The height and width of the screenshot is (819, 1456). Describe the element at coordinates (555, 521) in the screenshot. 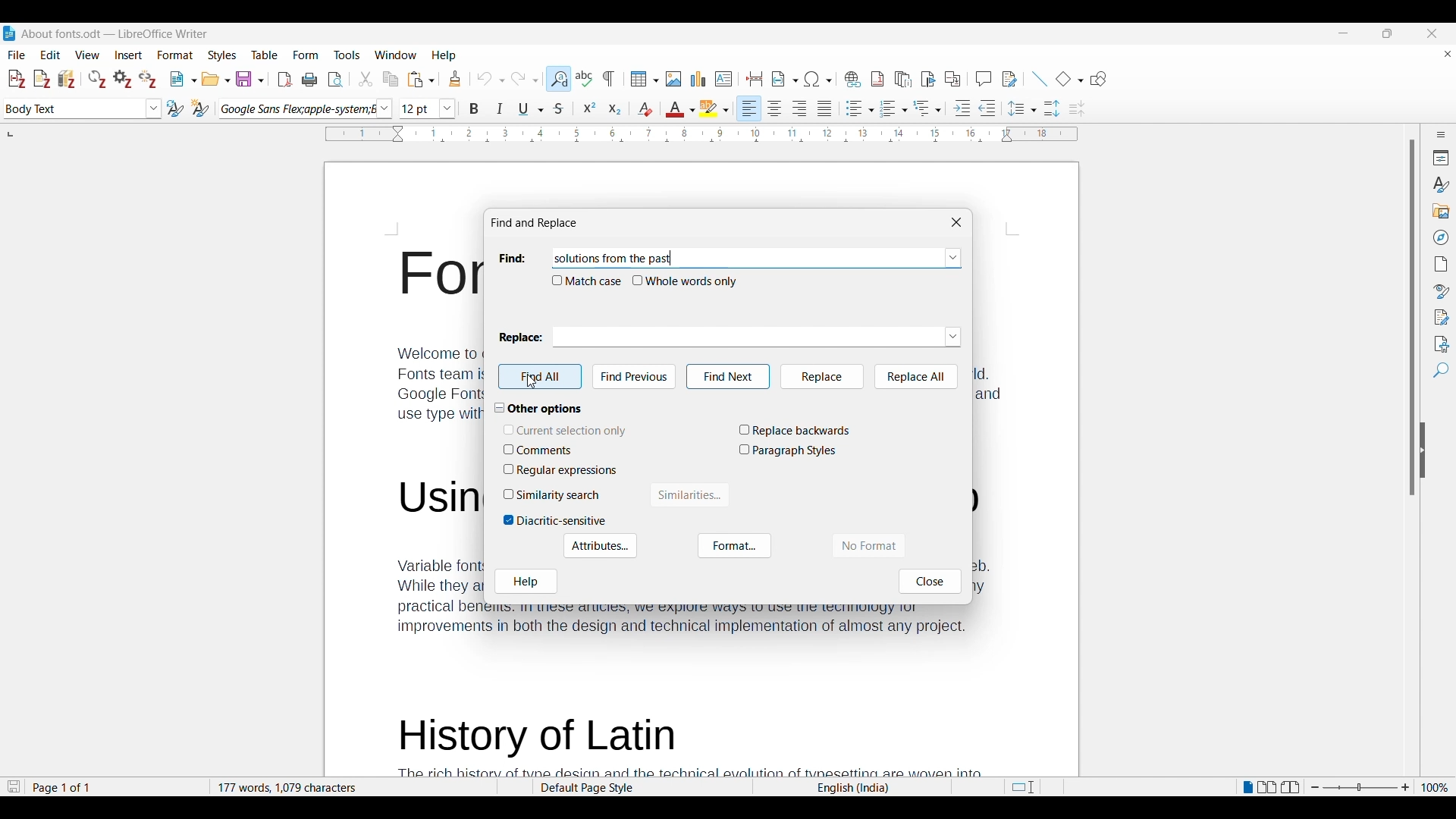

I see `Toggle for Diacritic-sensitive` at that location.